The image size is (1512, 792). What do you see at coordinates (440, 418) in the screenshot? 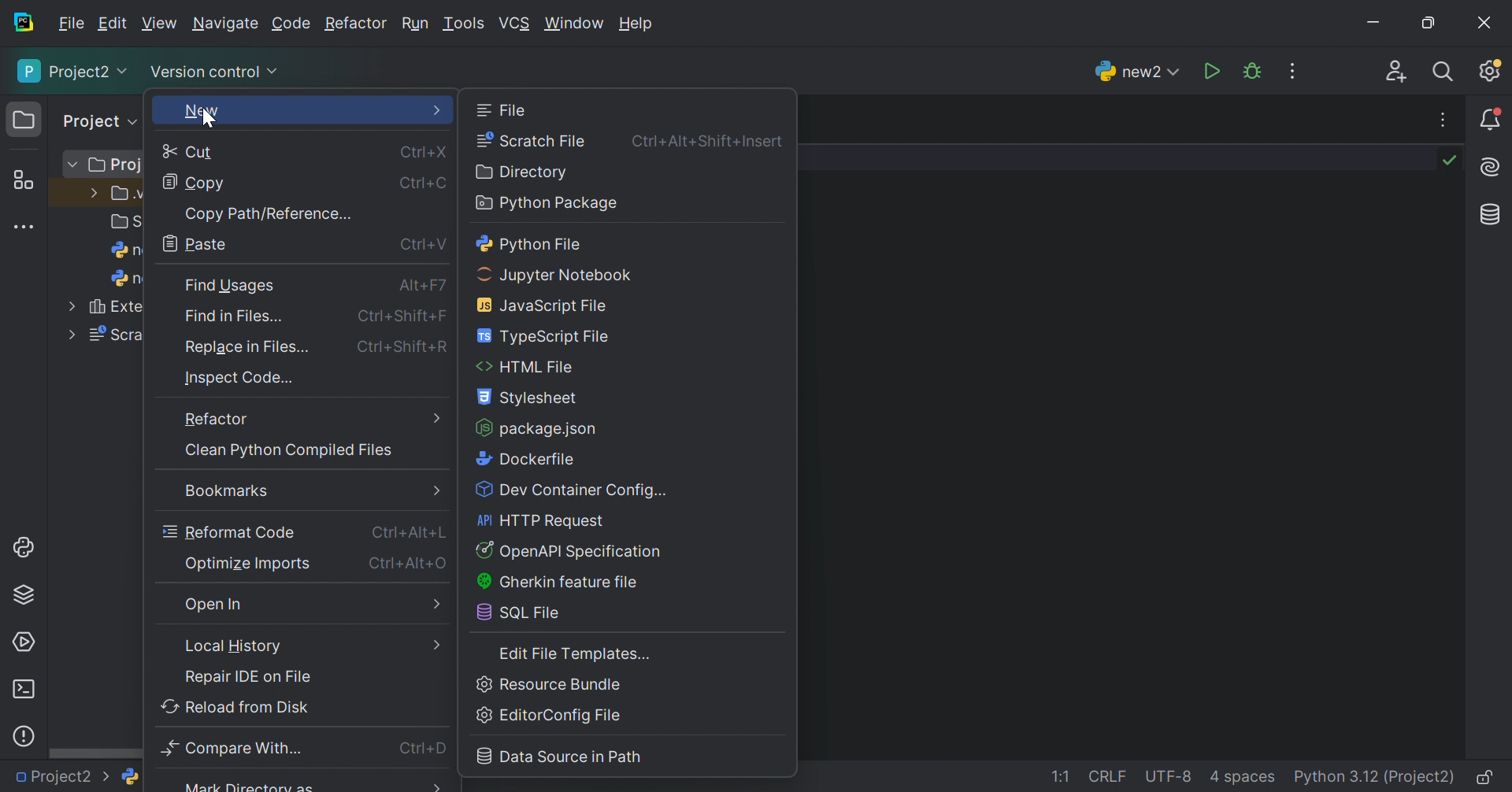
I see `More` at bounding box center [440, 418].